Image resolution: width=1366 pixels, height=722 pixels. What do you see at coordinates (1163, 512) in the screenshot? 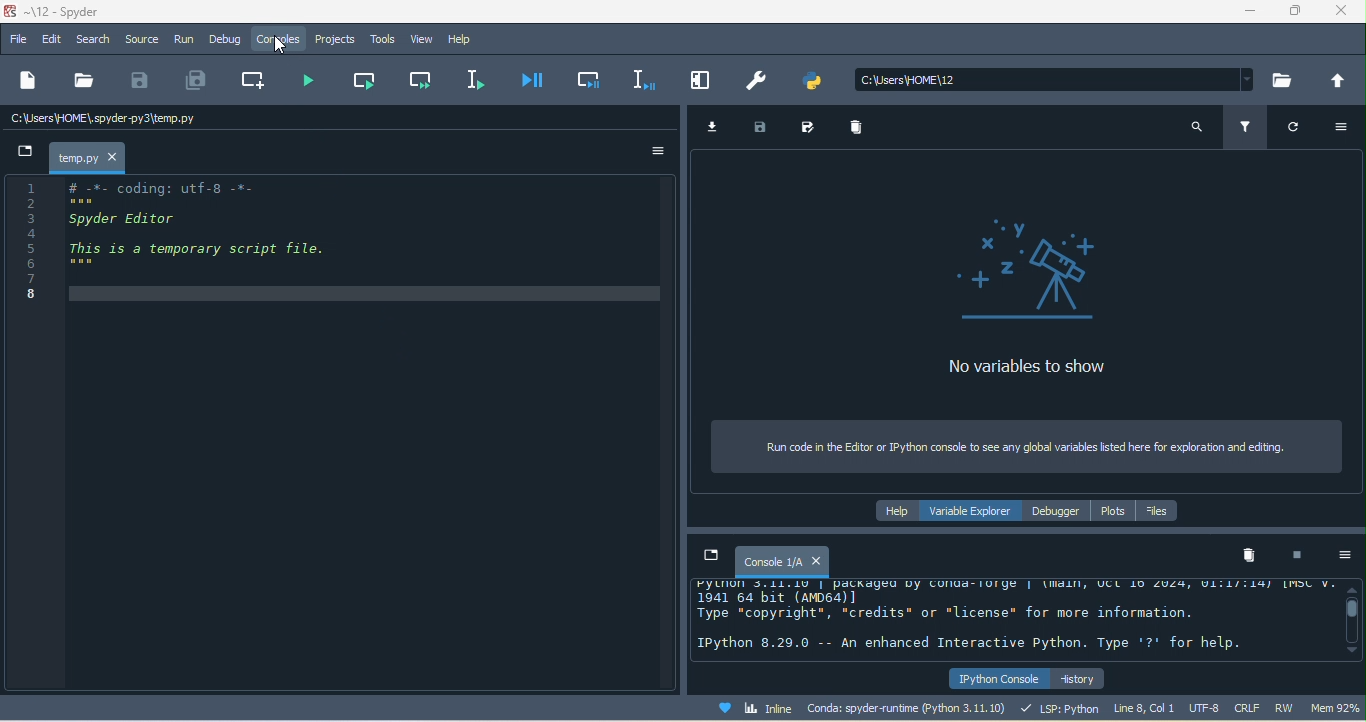
I see `files` at bounding box center [1163, 512].